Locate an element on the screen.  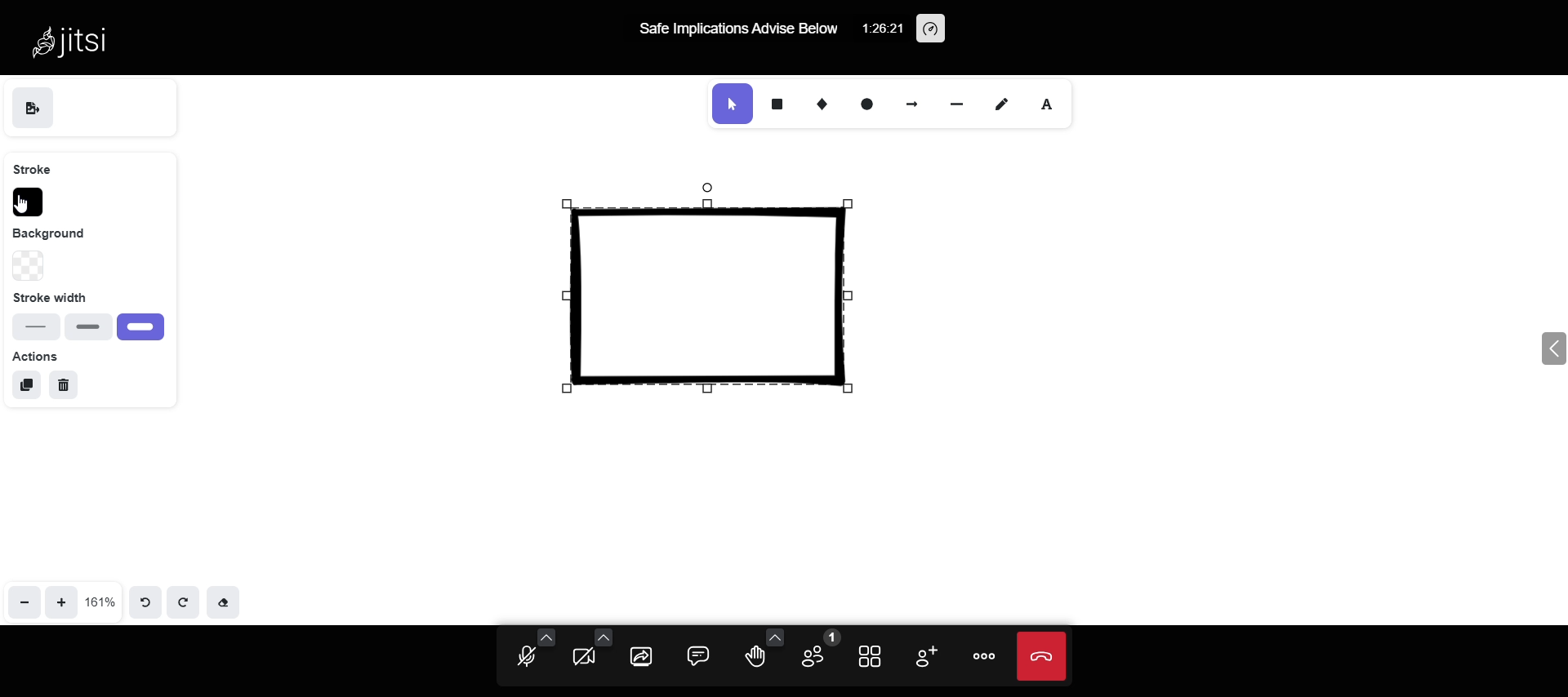
bold is located at coordinates (87, 326).